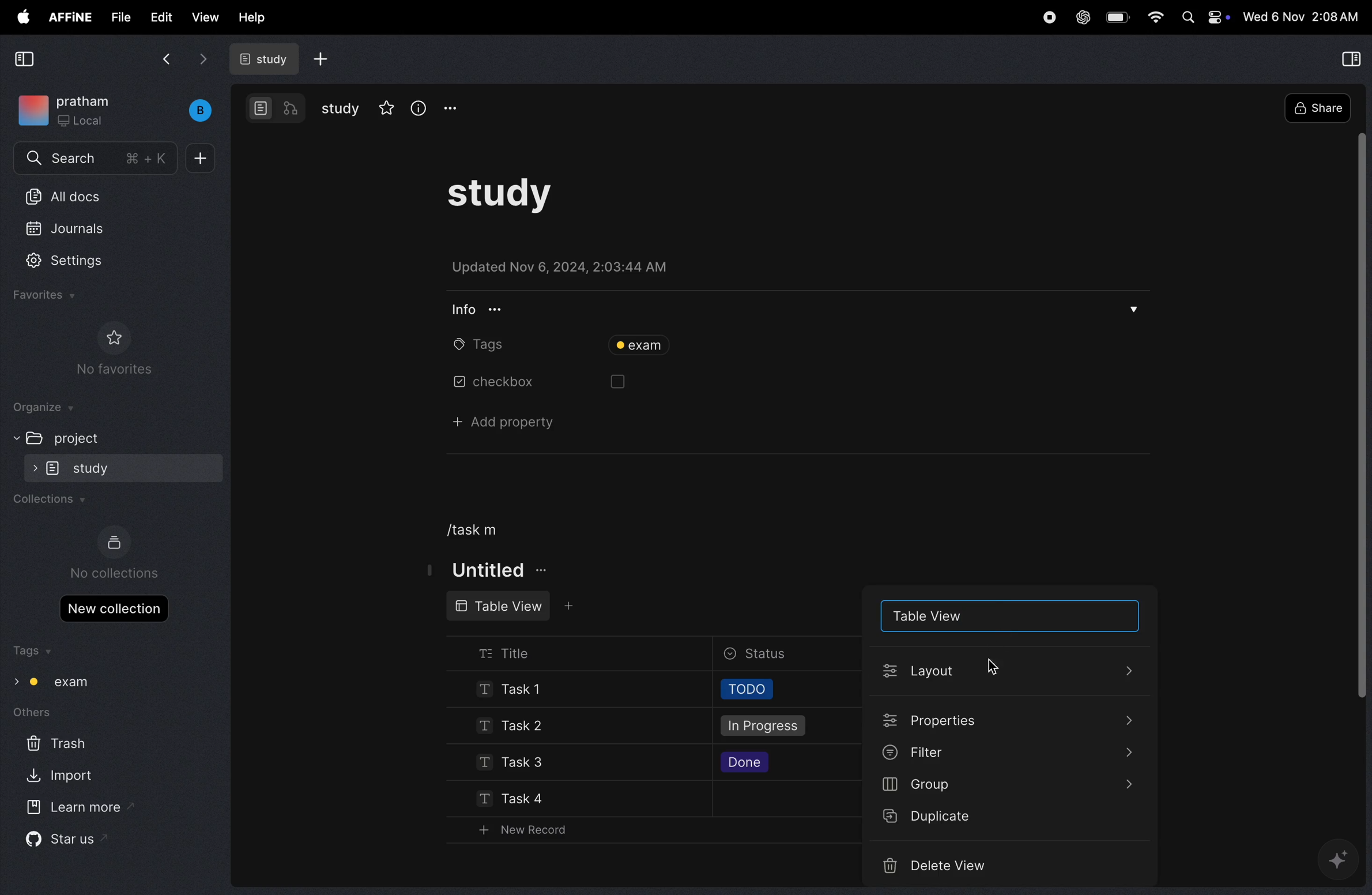 This screenshot has width=1372, height=895. Describe the element at coordinates (487, 423) in the screenshot. I see `add property` at that location.